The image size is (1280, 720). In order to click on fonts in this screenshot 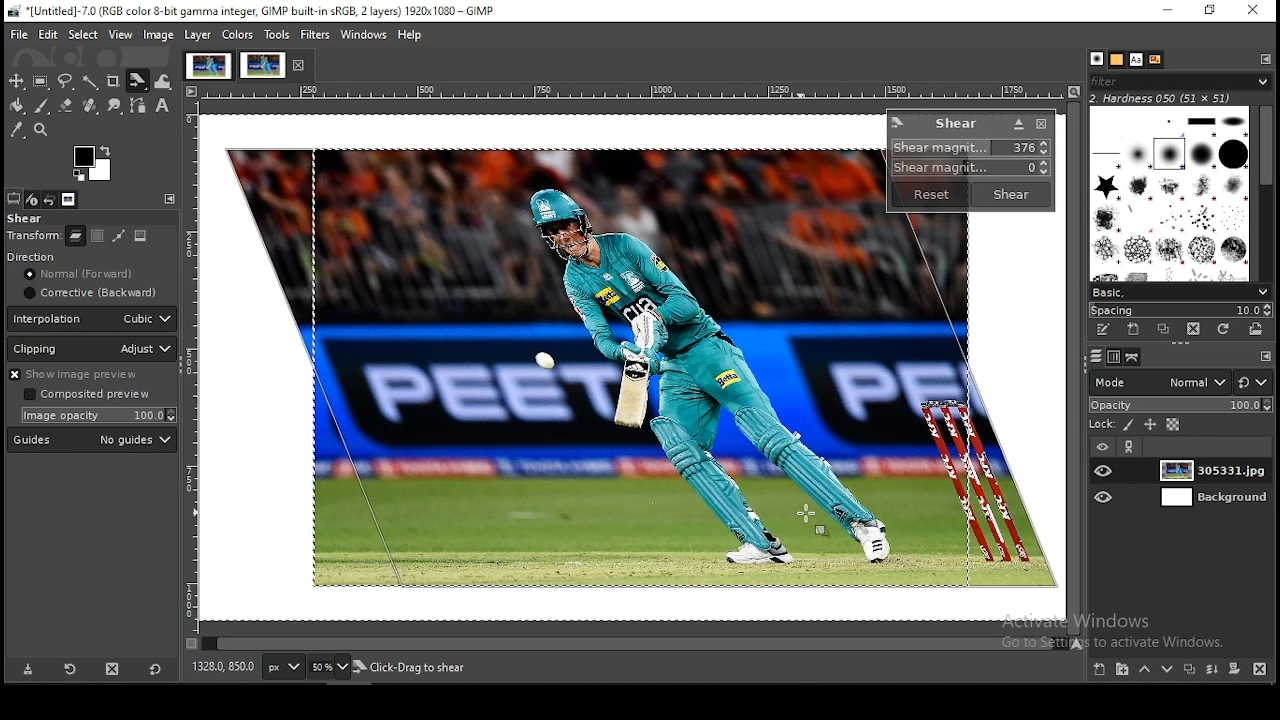, I will do `click(1136, 60)`.